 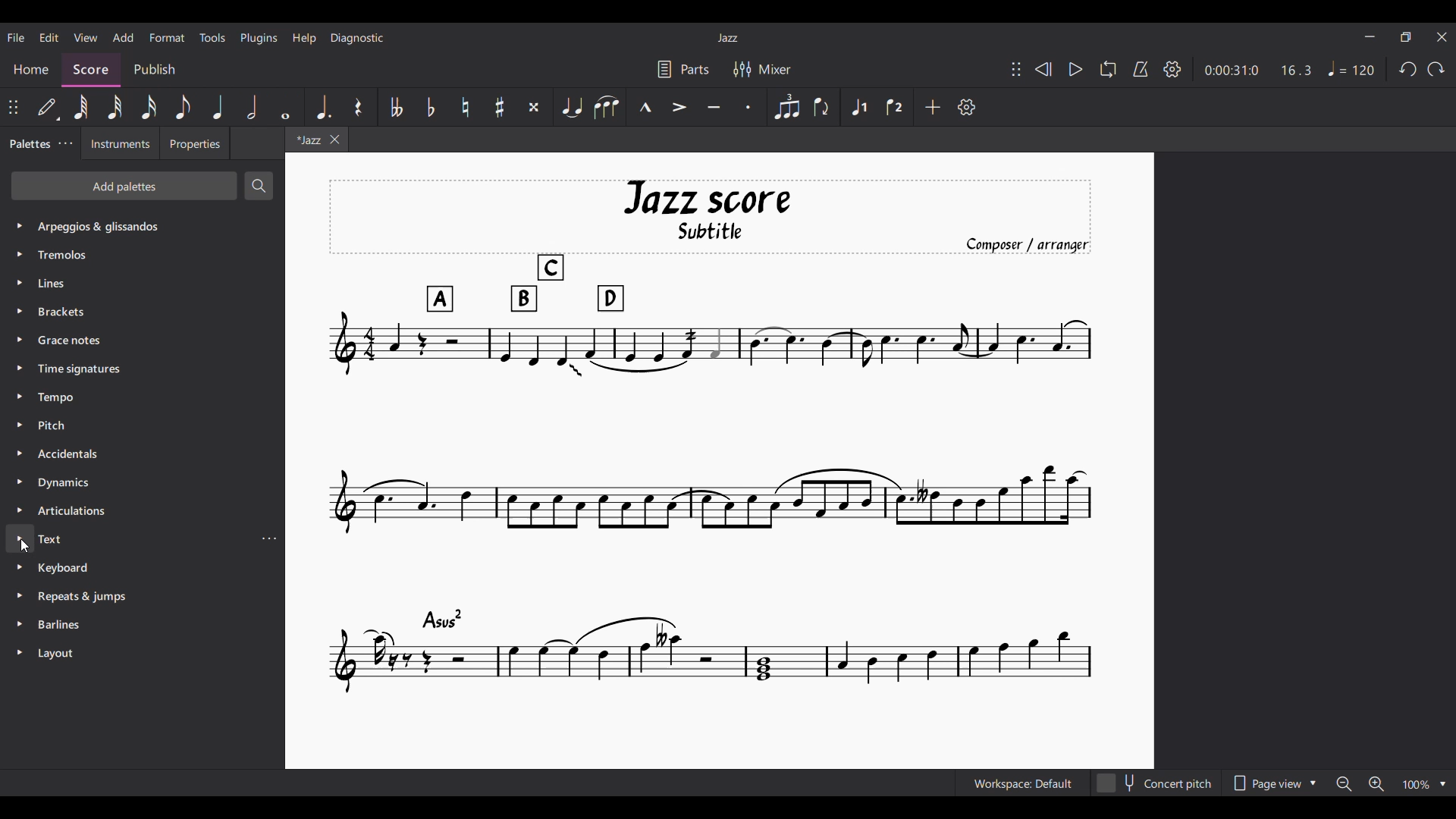 I want to click on Help menu, so click(x=304, y=39).